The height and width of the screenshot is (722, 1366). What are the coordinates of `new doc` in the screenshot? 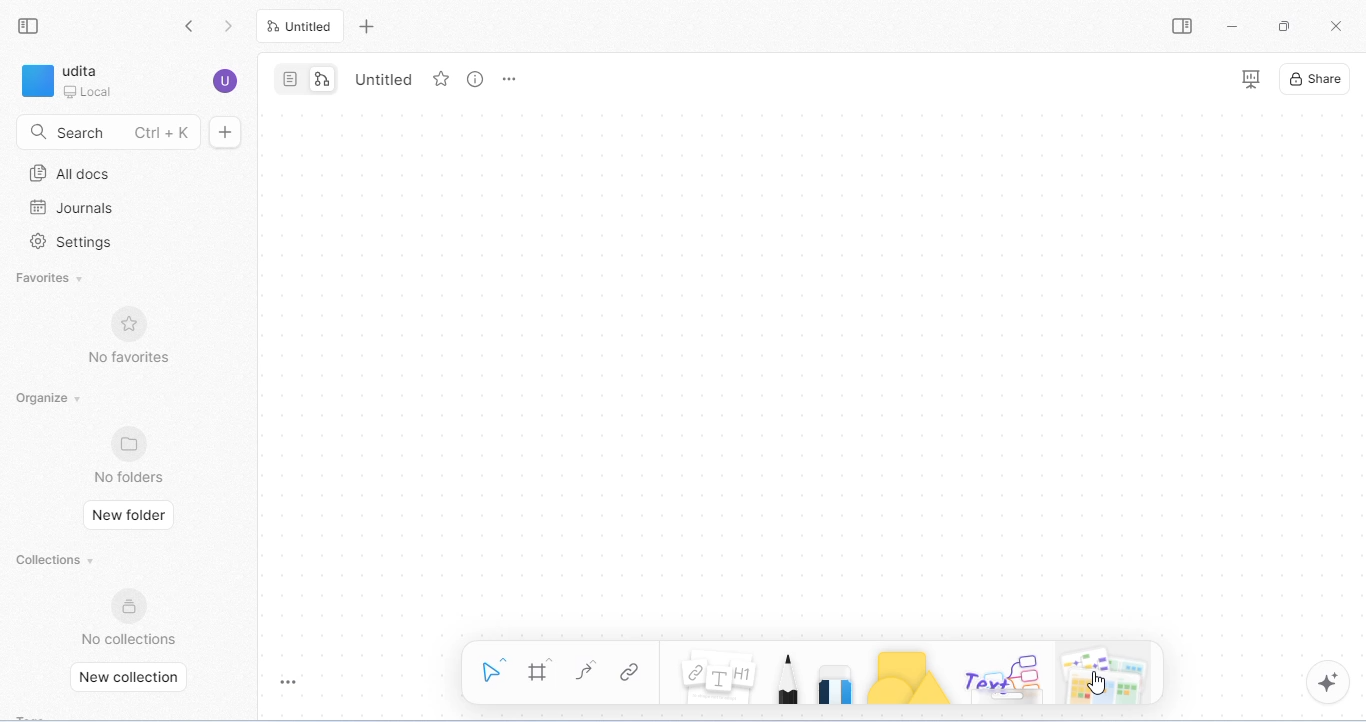 It's located at (225, 131).